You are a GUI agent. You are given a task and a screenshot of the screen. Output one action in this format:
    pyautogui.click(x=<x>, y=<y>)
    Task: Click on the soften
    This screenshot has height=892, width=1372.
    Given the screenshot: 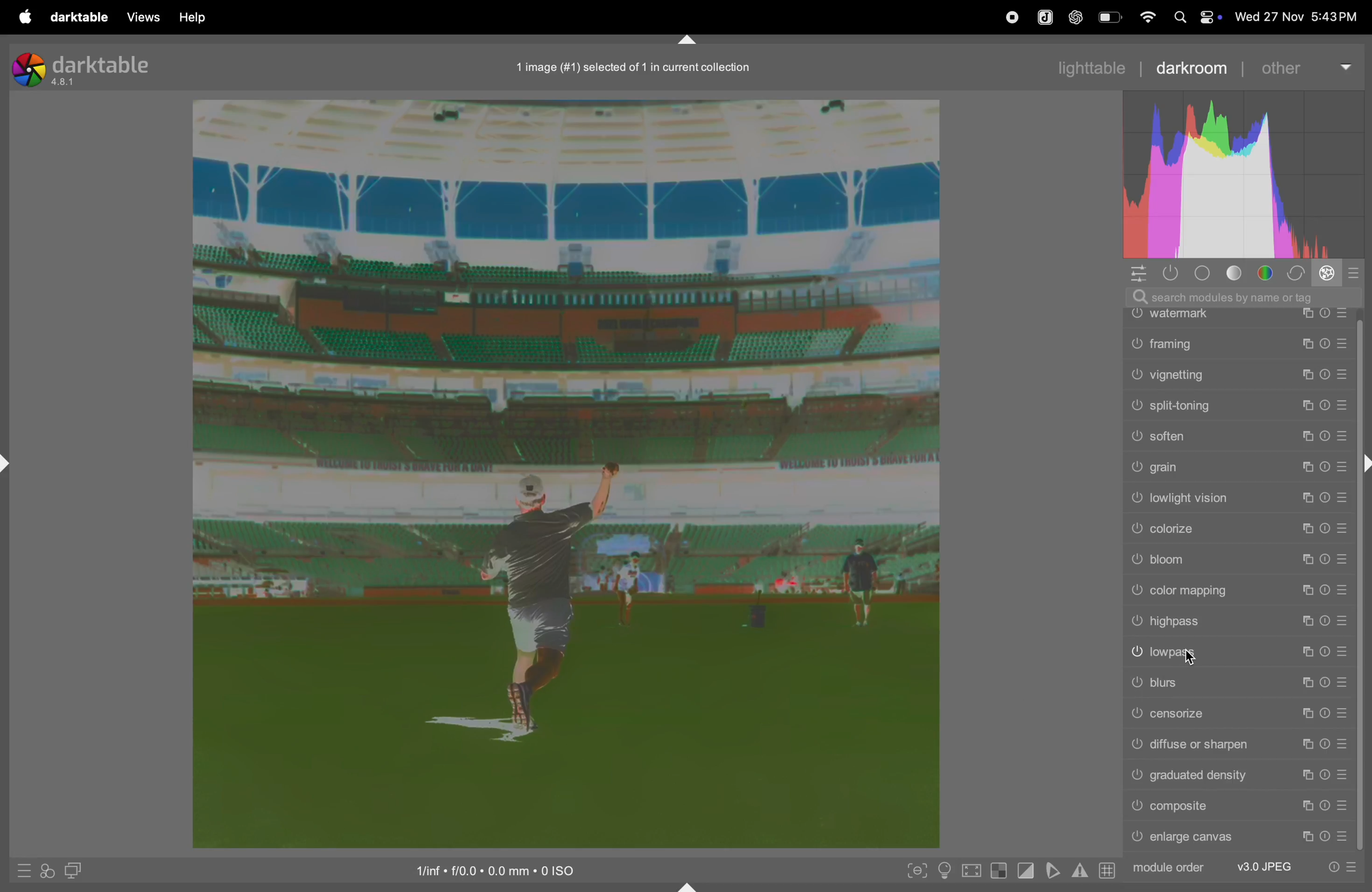 What is the action you would take?
    pyautogui.click(x=1242, y=436)
    